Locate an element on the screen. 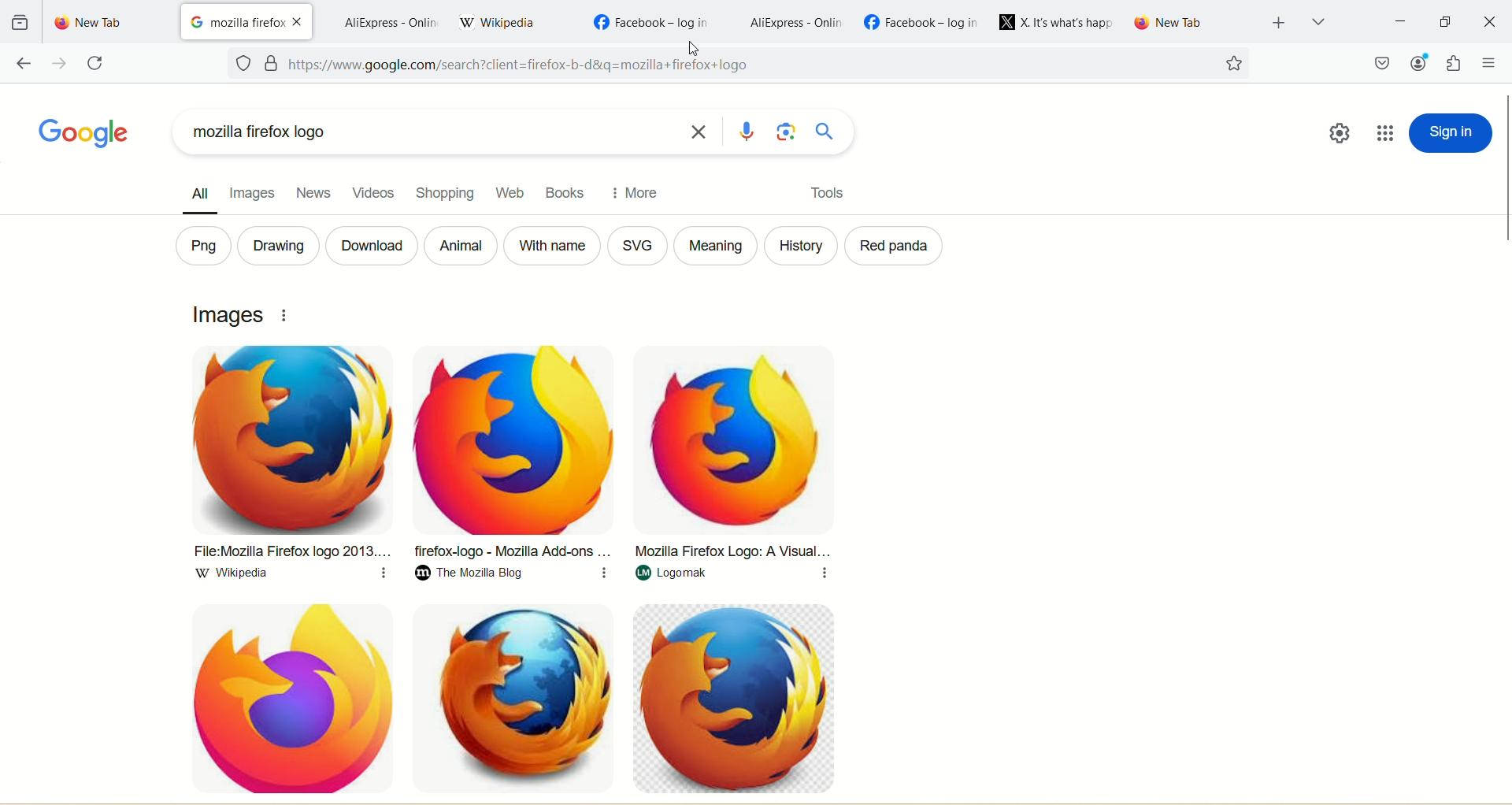 This screenshot has width=1512, height=805. site information is located at coordinates (273, 63).